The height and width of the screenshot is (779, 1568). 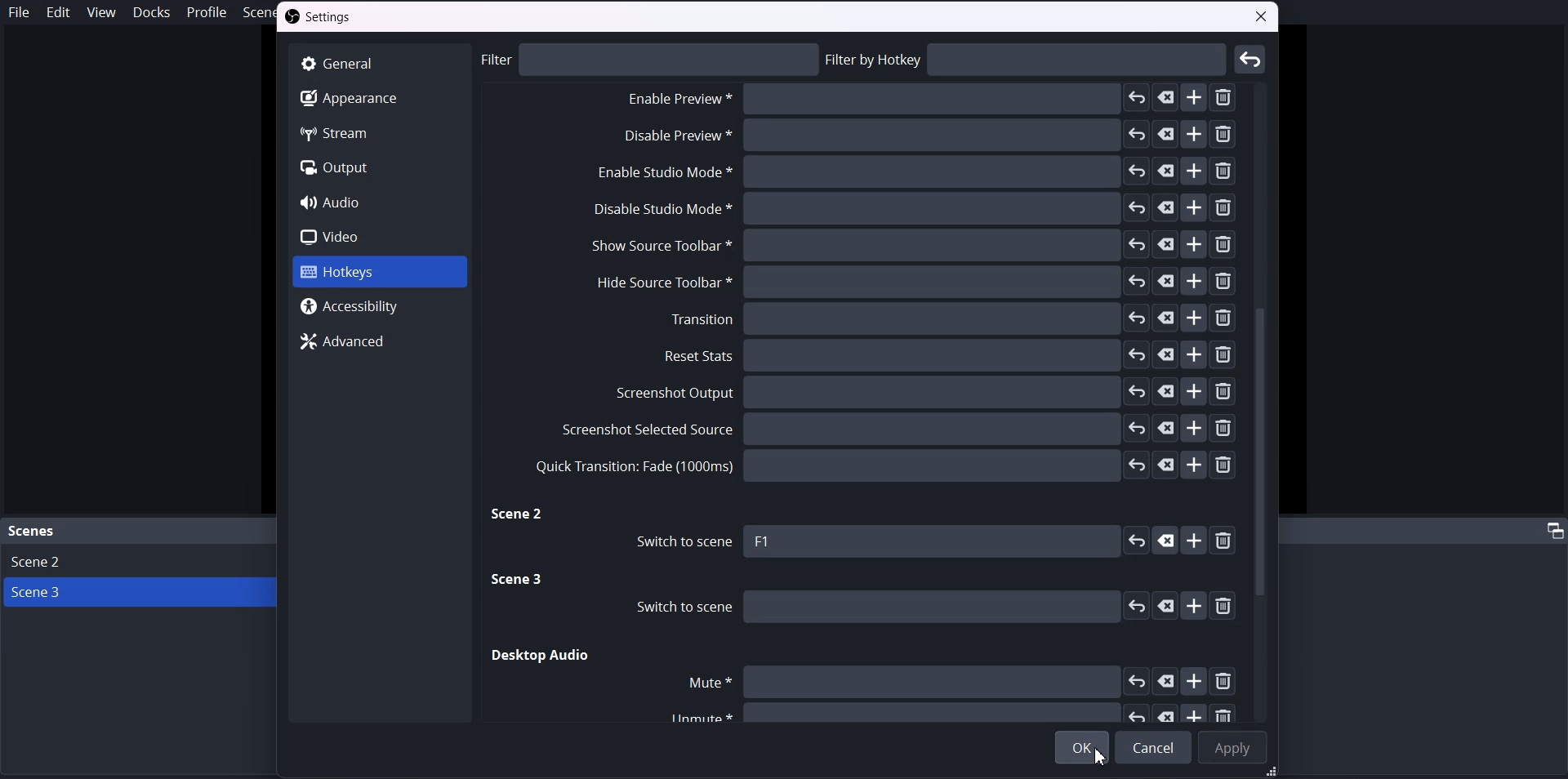 I want to click on Text, so click(x=764, y=541).